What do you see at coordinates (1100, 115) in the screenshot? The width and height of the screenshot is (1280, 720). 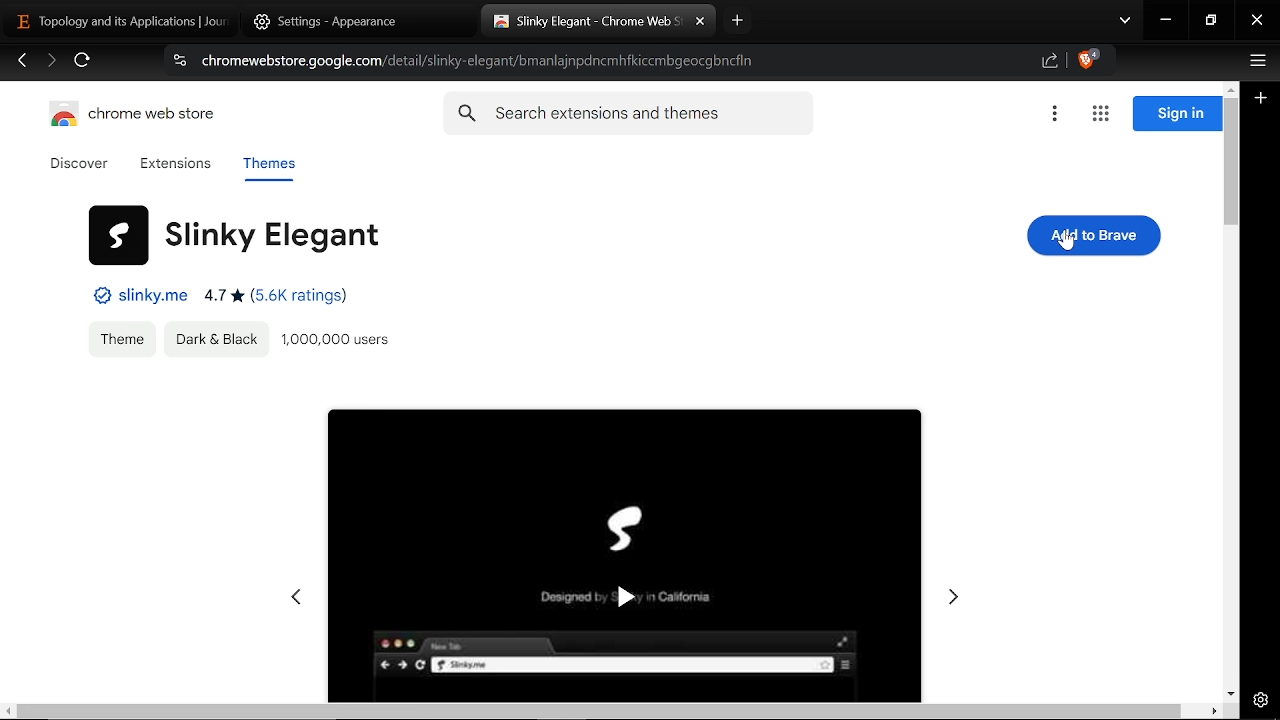 I see `Apps` at bounding box center [1100, 115].